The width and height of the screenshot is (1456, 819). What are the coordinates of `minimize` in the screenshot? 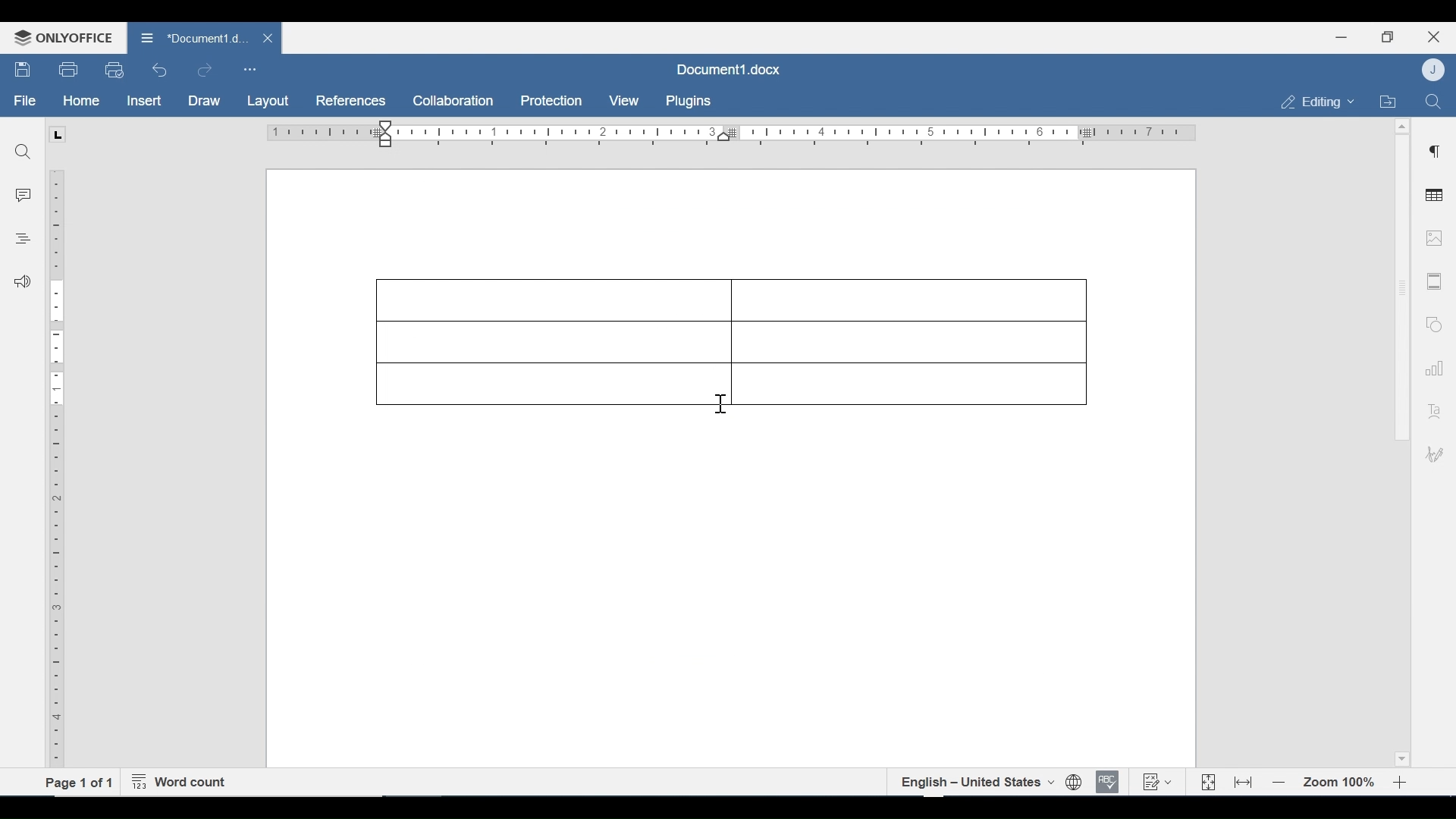 It's located at (1341, 36).